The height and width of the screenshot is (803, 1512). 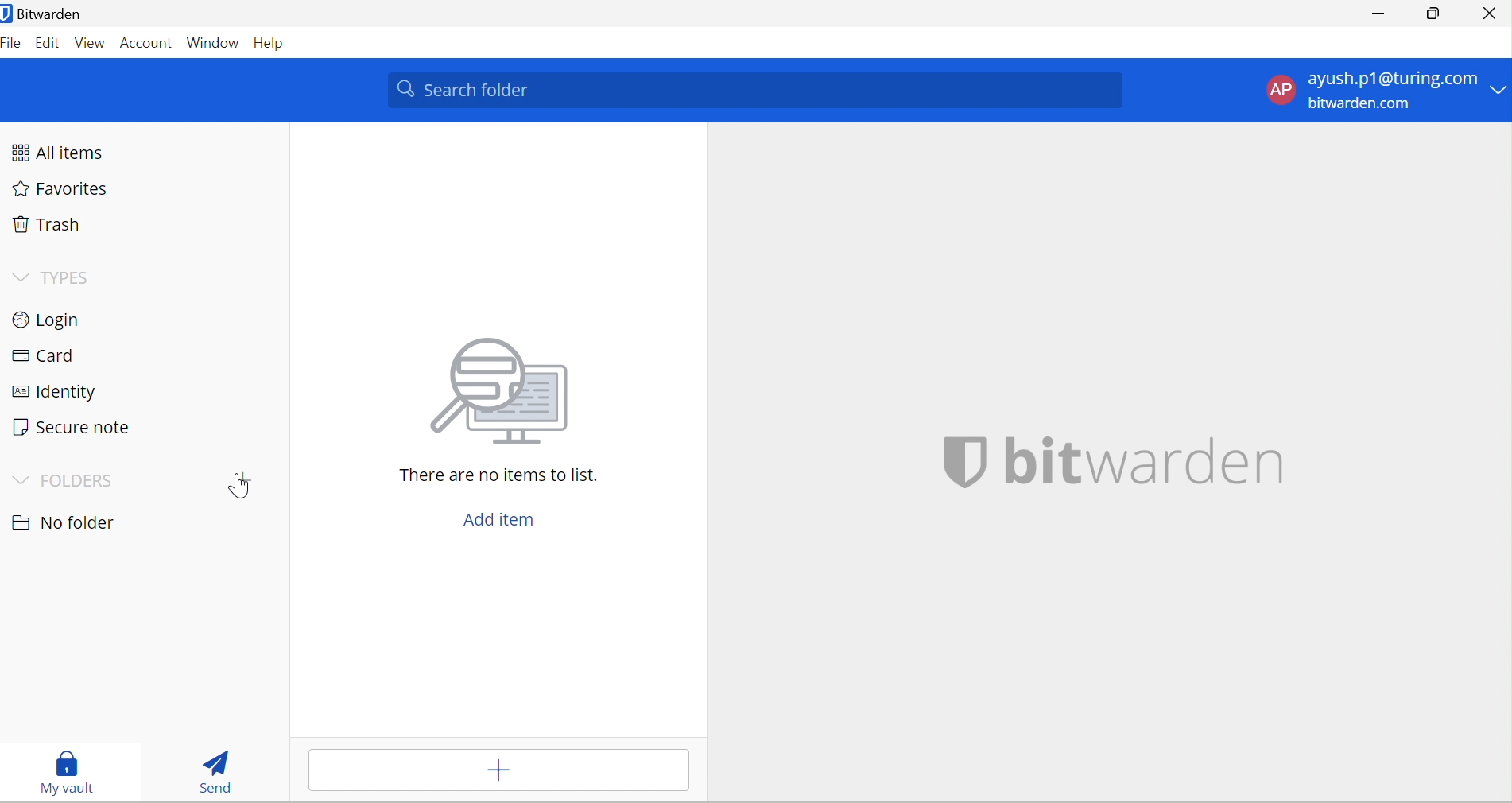 What do you see at coordinates (754, 90) in the screenshot?
I see `Search Folder` at bounding box center [754, 90].